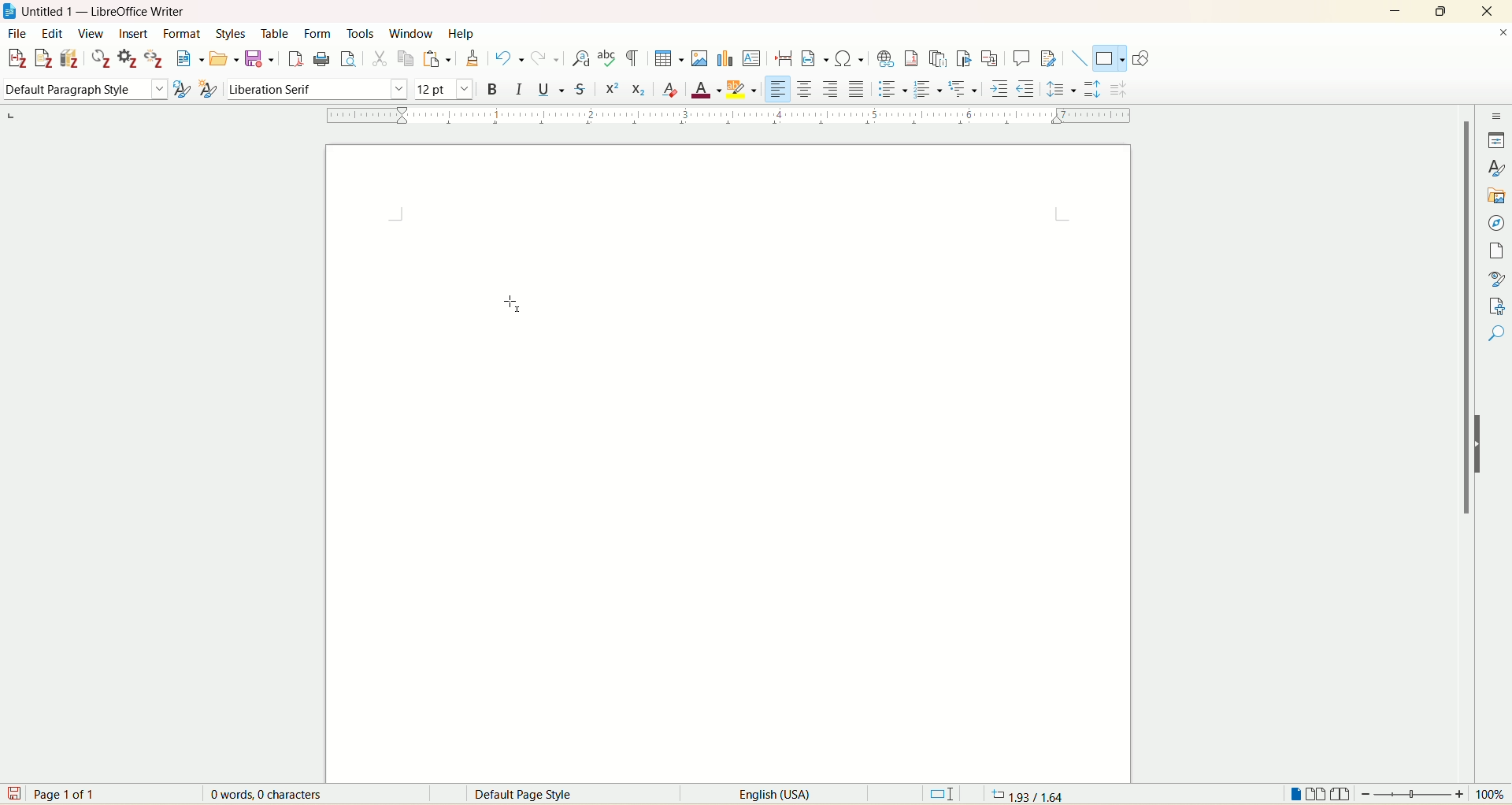  What do you see at coordinates (102, 59) in the screenshot?
I see `refresh` at bounding box center [102, 59].